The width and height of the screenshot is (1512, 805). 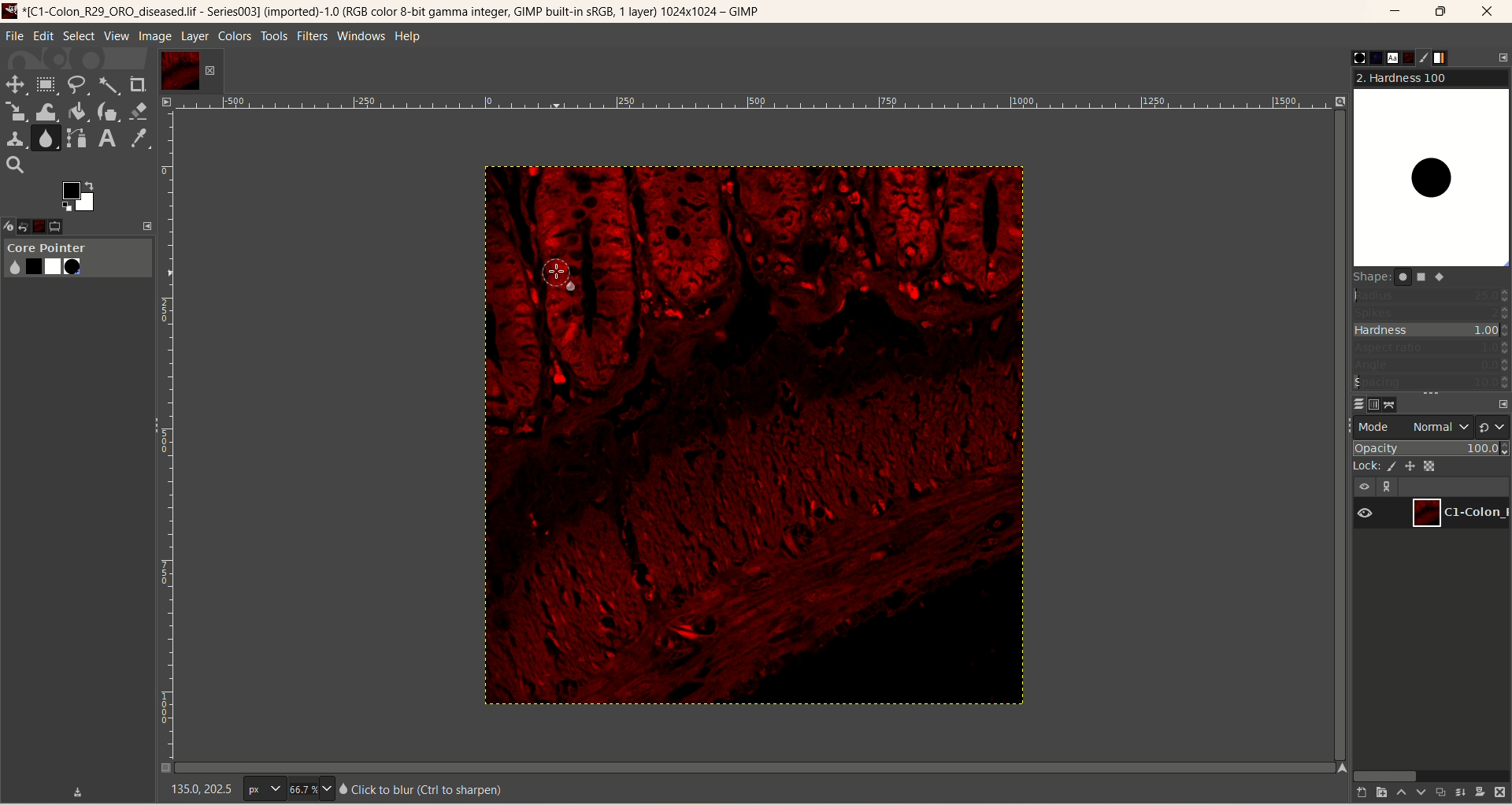 What do you see at coordinates (1366, 485) in the screenshot?
I see `visibility` at bounding box center [1366, 485].